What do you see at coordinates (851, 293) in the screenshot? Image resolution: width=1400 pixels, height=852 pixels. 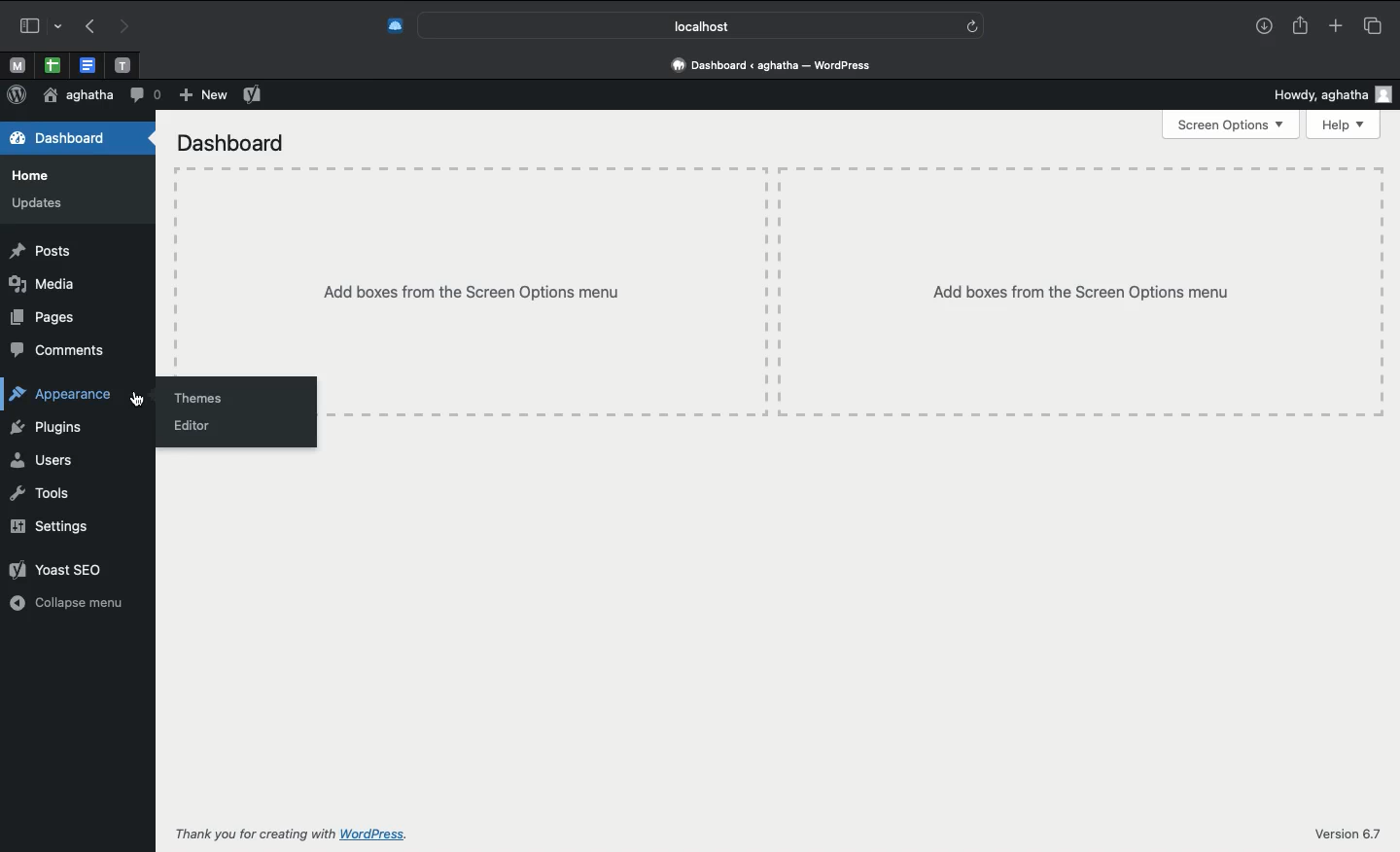 I see `Add boxes from screen options menu` at bounding box center [851, 293].